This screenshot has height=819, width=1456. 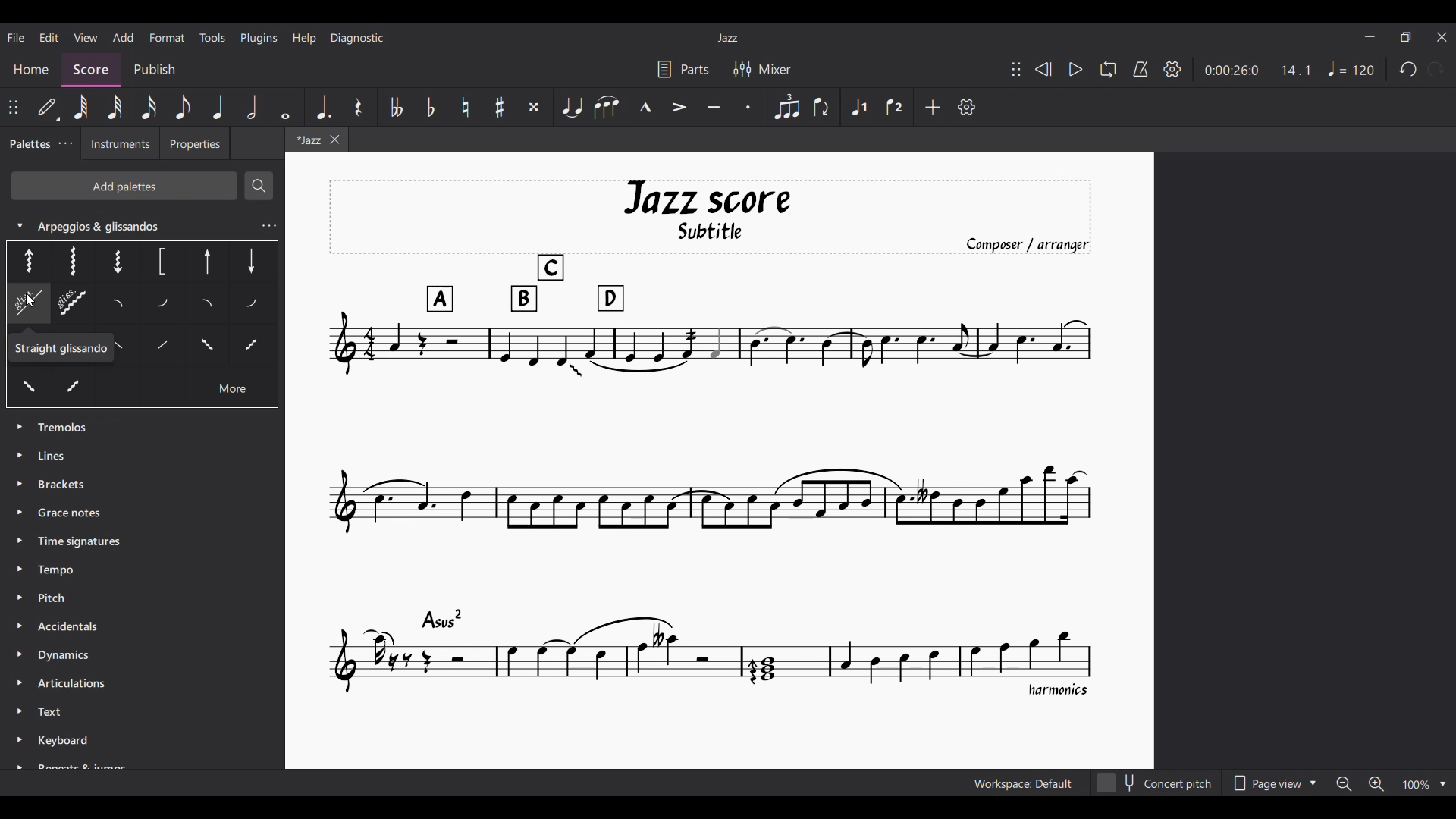 I want to click on Duration and ratio, so click(x=1257, y=71).